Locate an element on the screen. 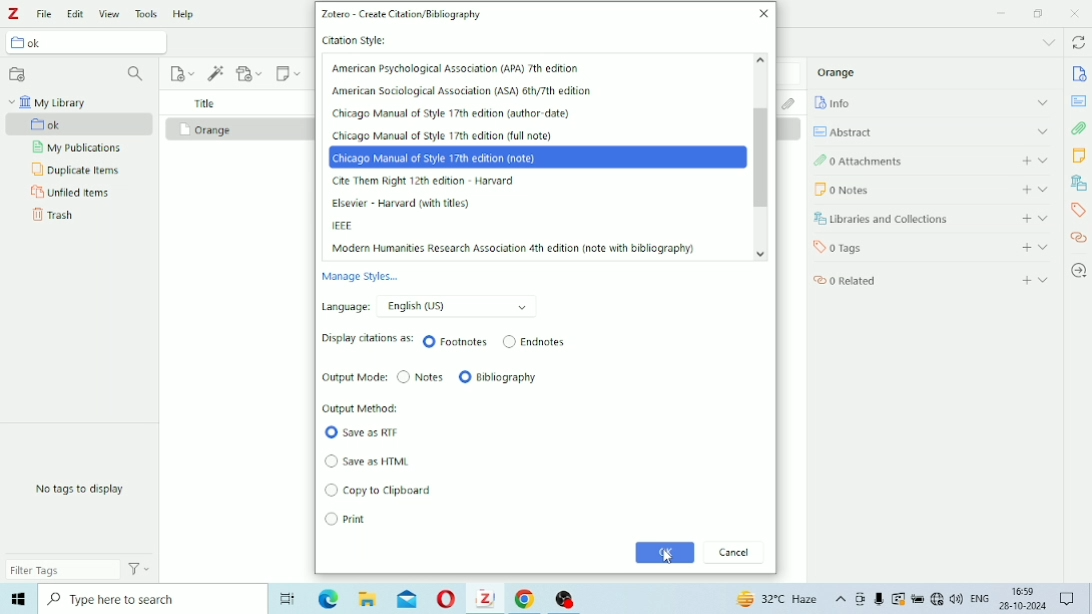 The image size is (1092, 614). Attachments is located at coordinates (1079, 128).